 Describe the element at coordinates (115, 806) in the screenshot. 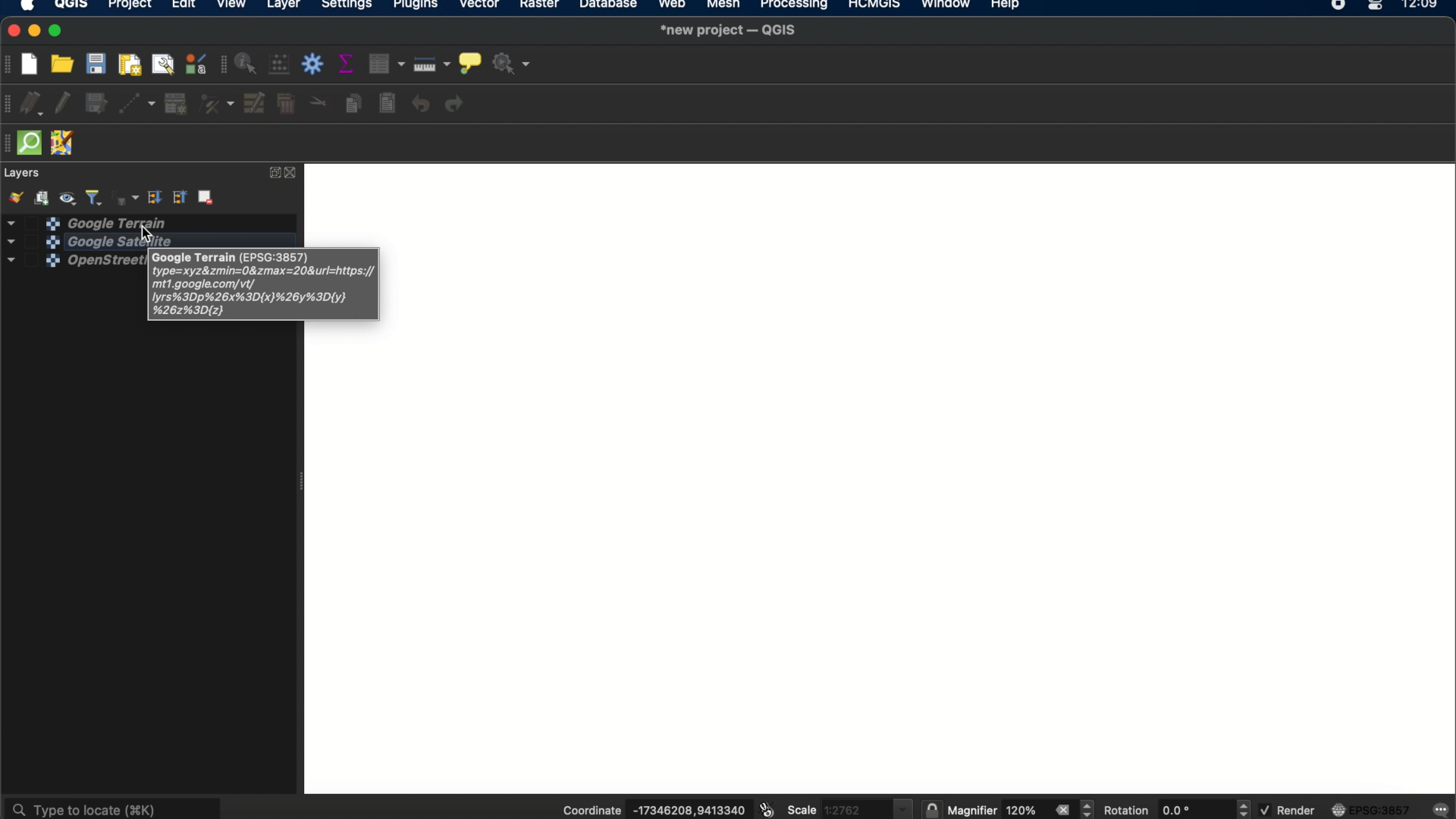

I see `type to locate` at that location.